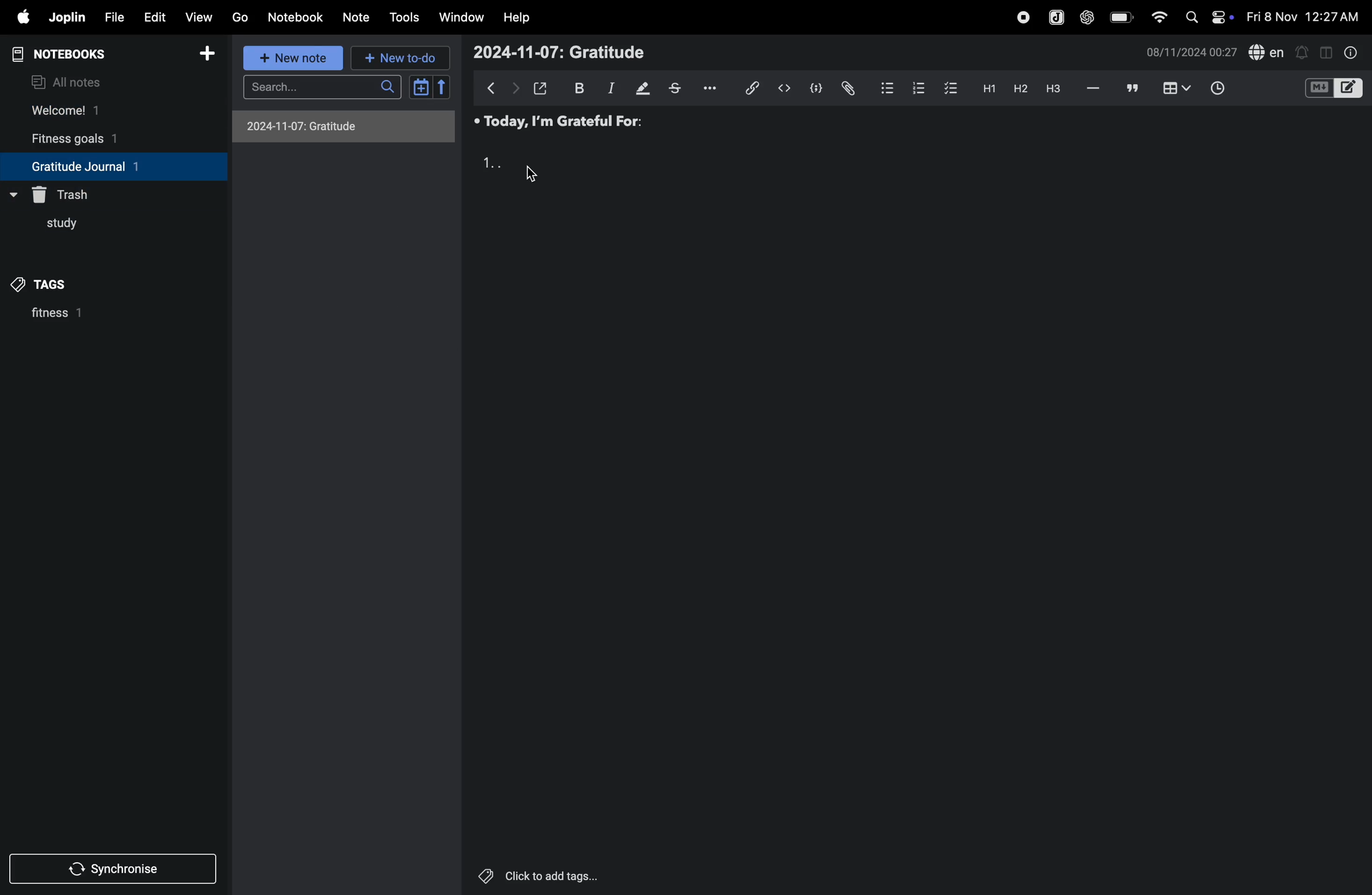 Image resolution: width=1372 pixels, height=895 pixels. Describe the element at coordinates (108, 871) in the screenshot. I see `synchronise` at that location.